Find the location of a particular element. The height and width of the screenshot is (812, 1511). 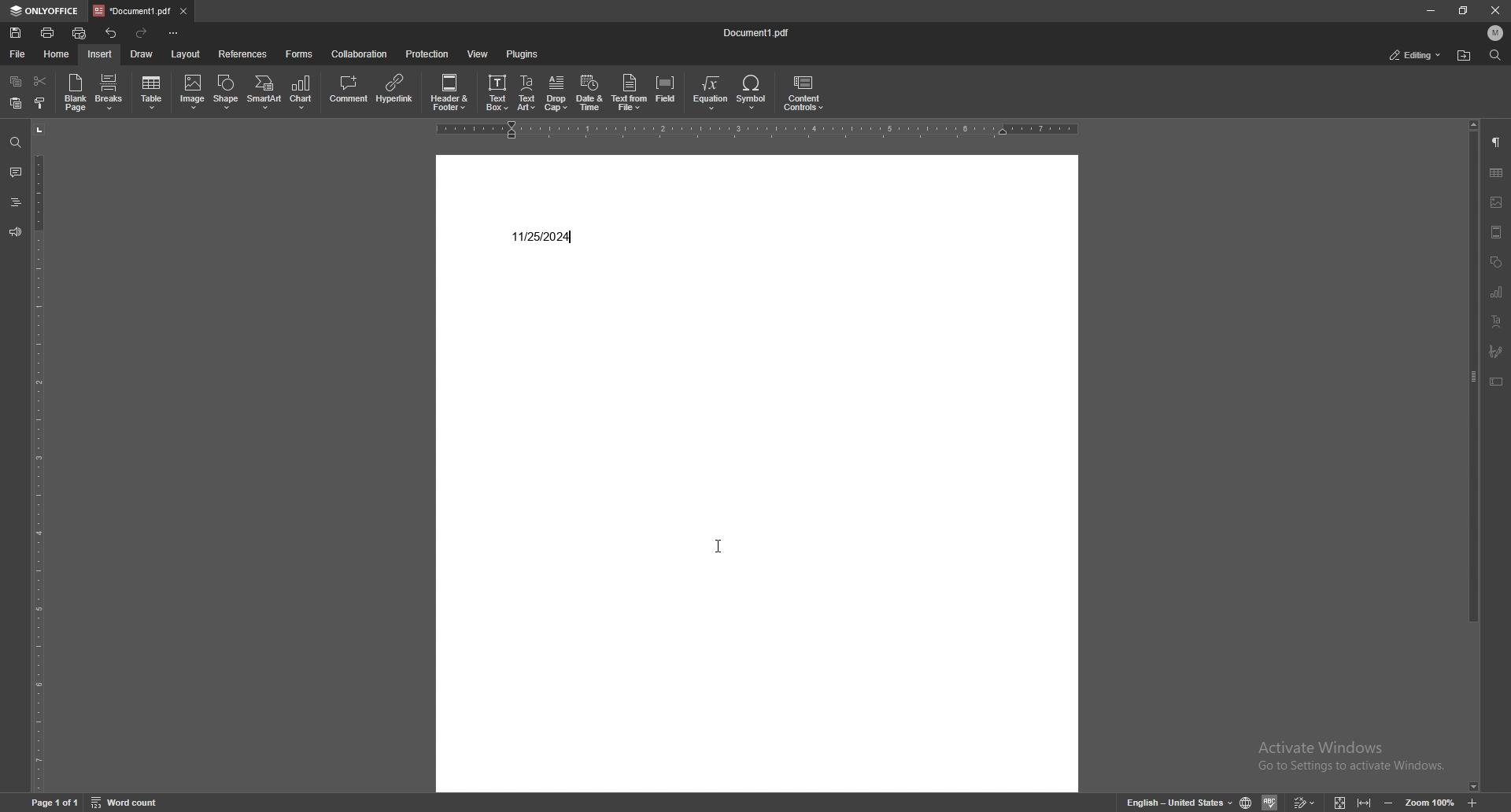

paintbrush is located at coordinates (1498, 350).